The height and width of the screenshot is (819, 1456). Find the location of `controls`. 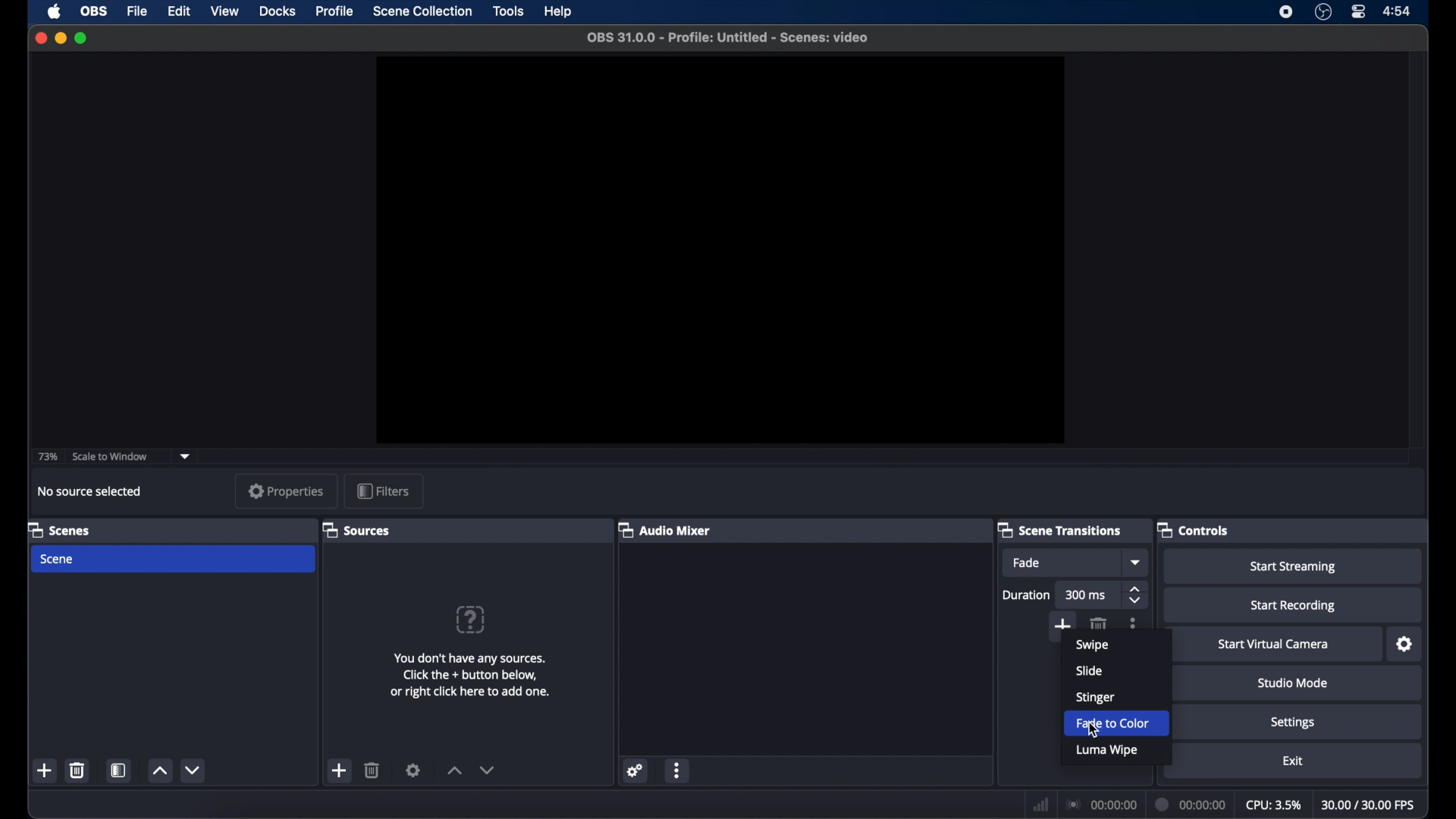

controls is located at coordinates (1192, 529).